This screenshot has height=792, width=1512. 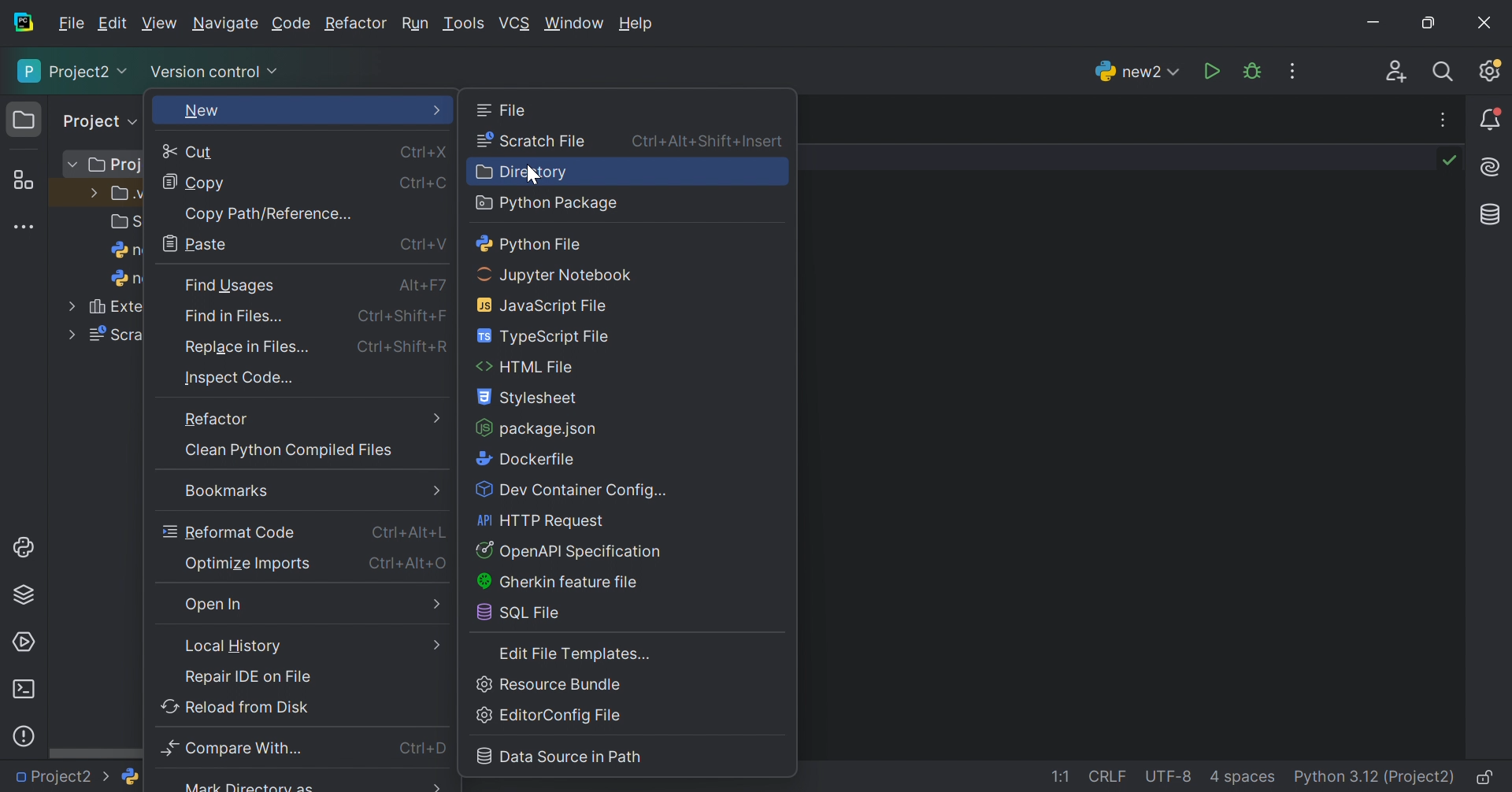 What do you see at coordinates (574, 653) in the screenshot?
I see `Edit file templates...` at bounding box center [574, 653].